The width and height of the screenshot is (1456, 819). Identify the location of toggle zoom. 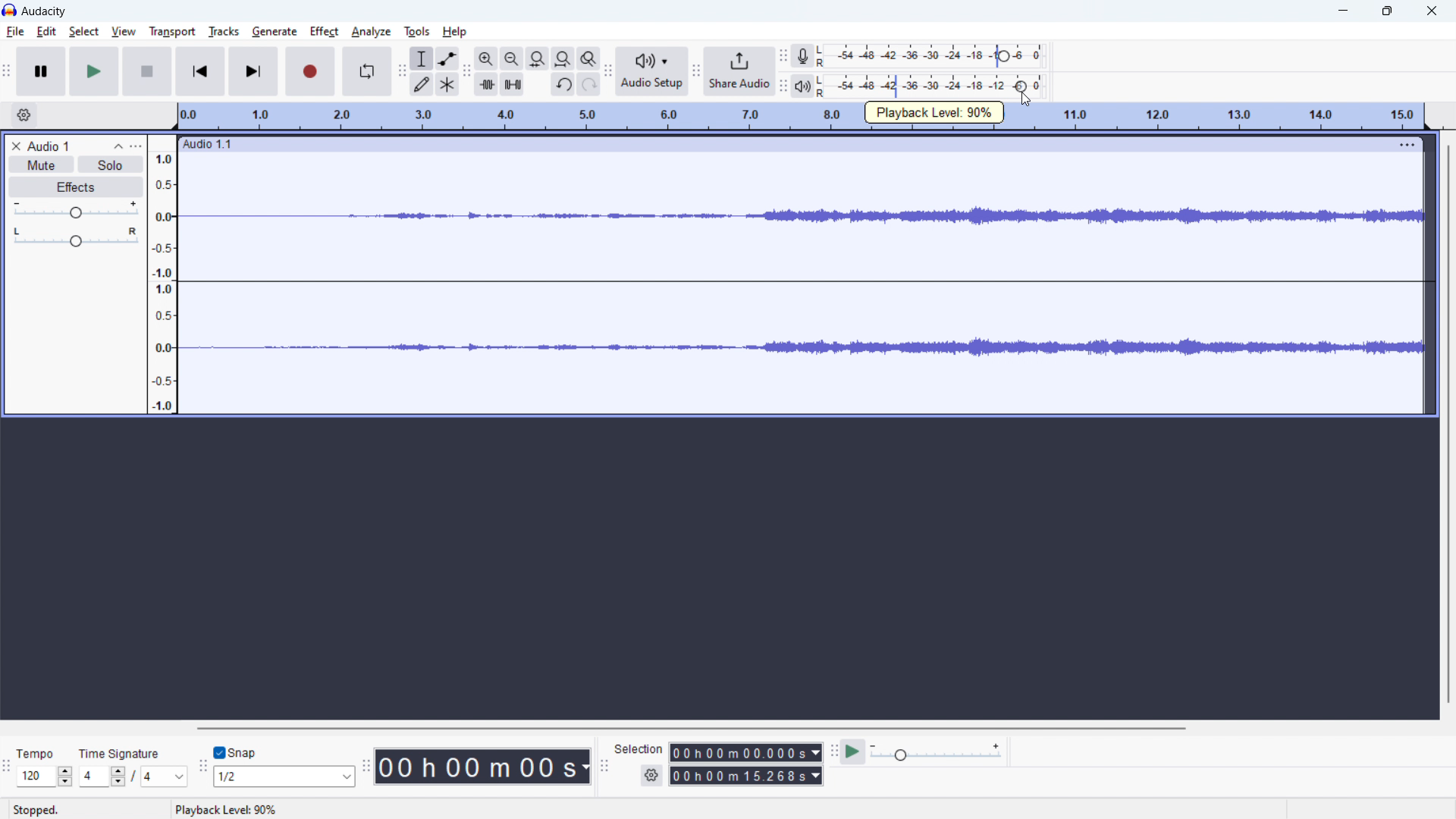
(588, 58).